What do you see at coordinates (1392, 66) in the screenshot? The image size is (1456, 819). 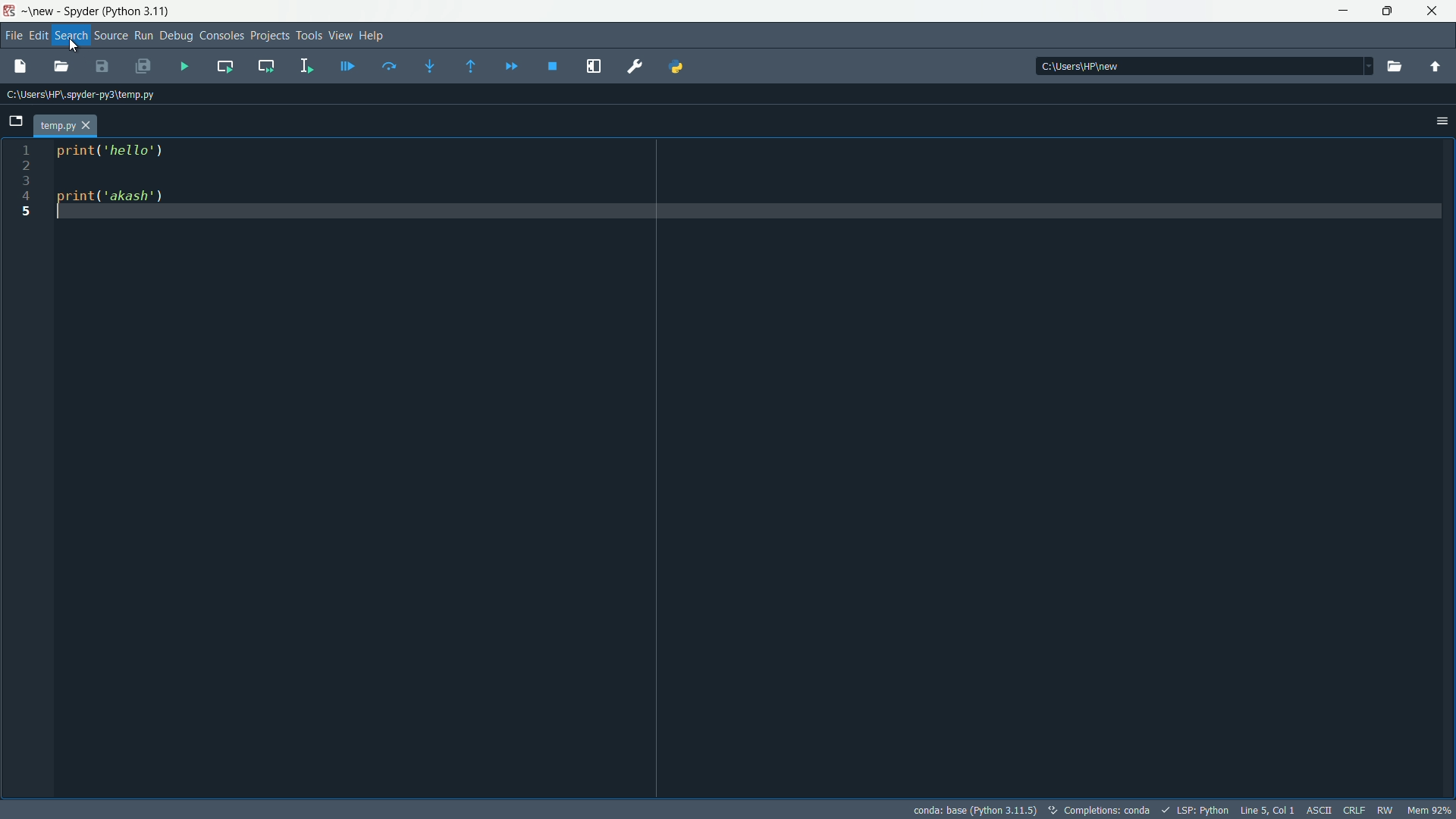 I see `browse directory` at bounding box center [1392, 66].